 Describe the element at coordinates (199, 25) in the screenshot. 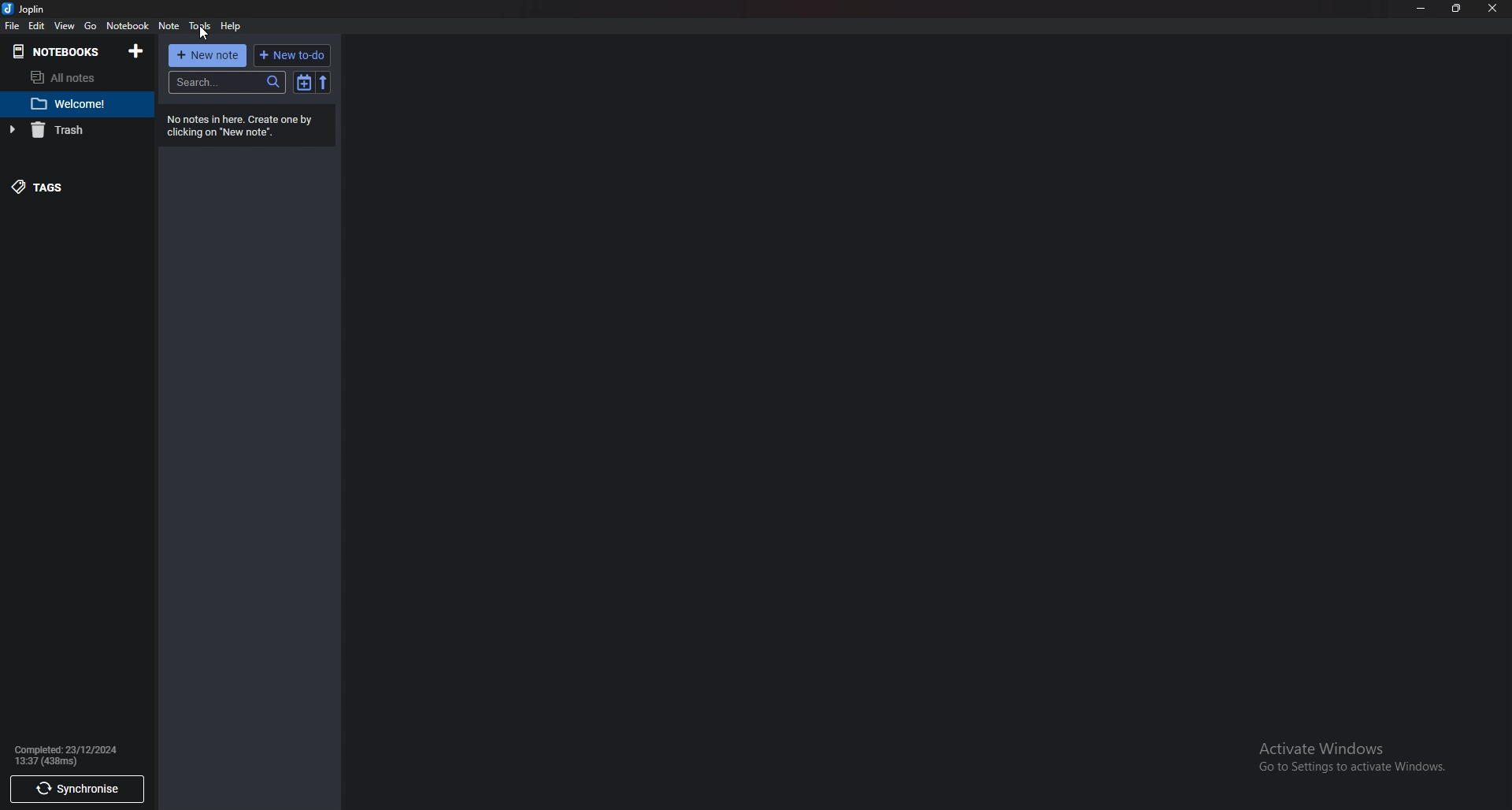

I see `Tools` at that location.